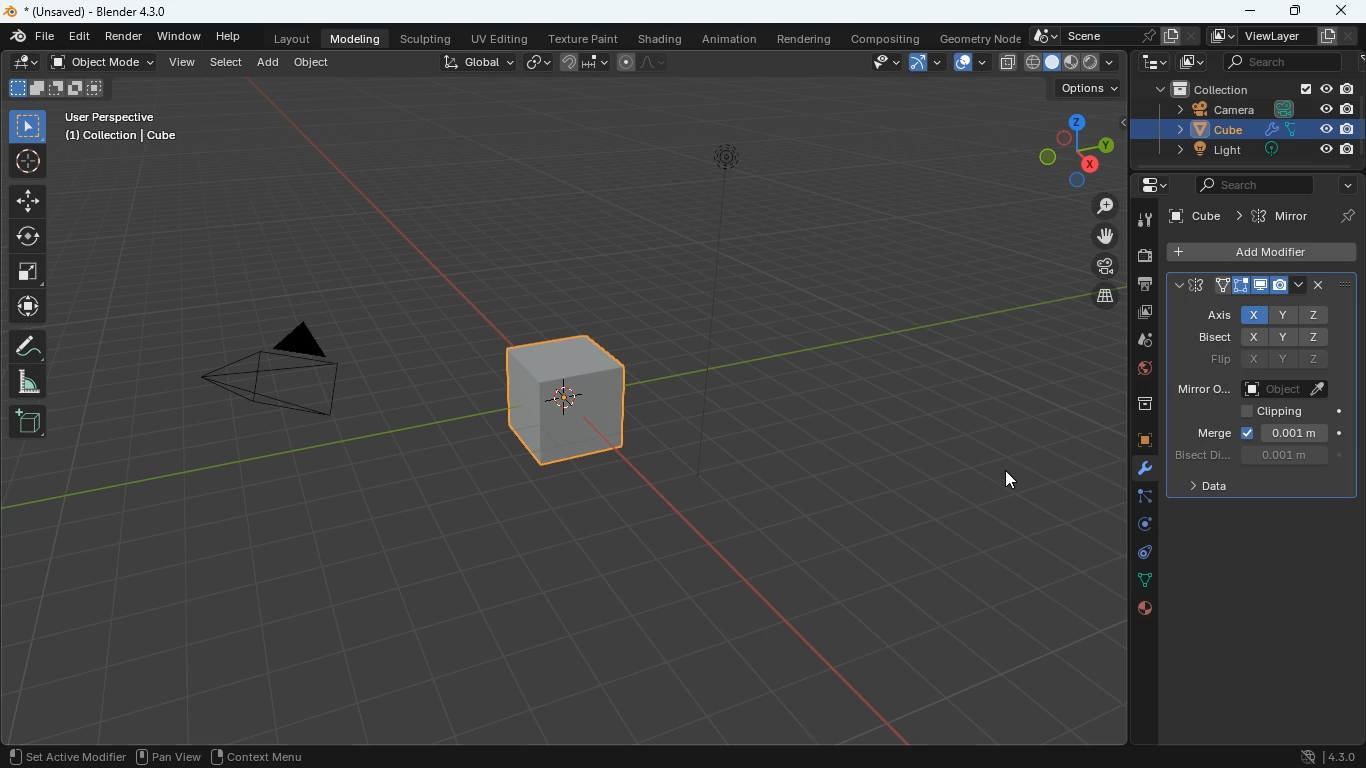 The image size is (1366, 768). I want to click on modifiers, so click(1136, 470).